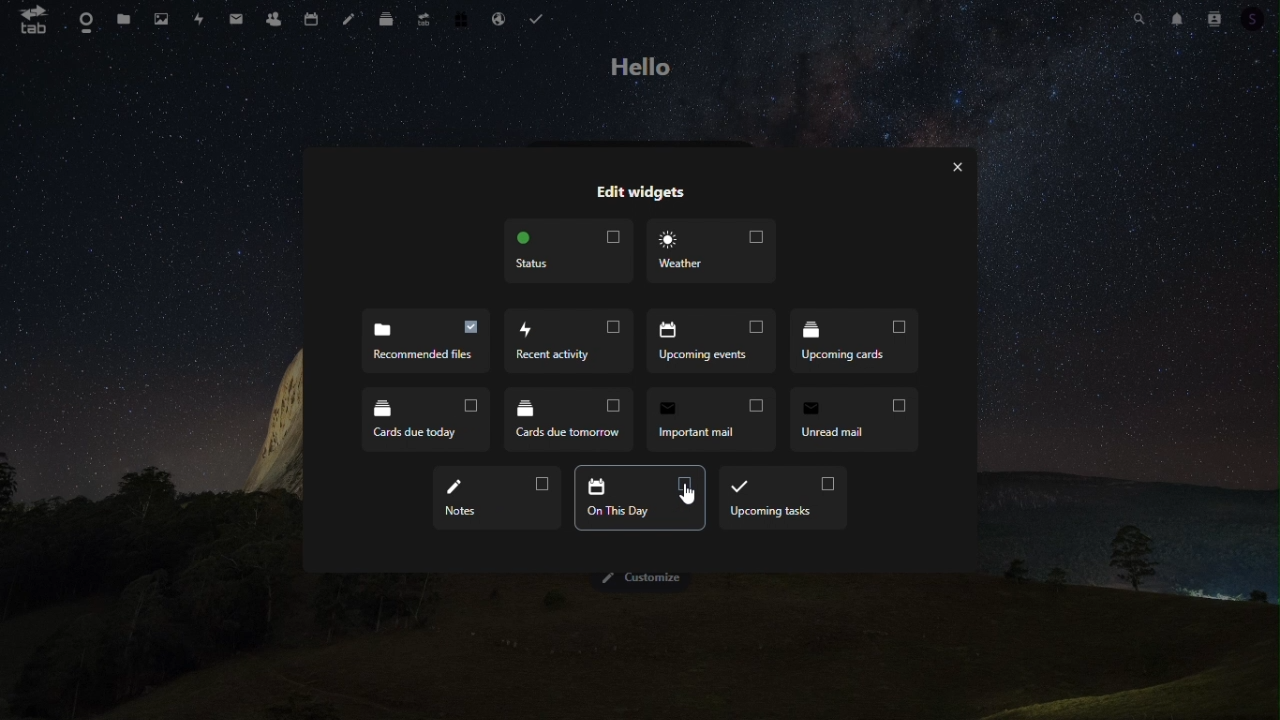 The image size is (1280, 720). I want to click on Customize, so click(639, 579).